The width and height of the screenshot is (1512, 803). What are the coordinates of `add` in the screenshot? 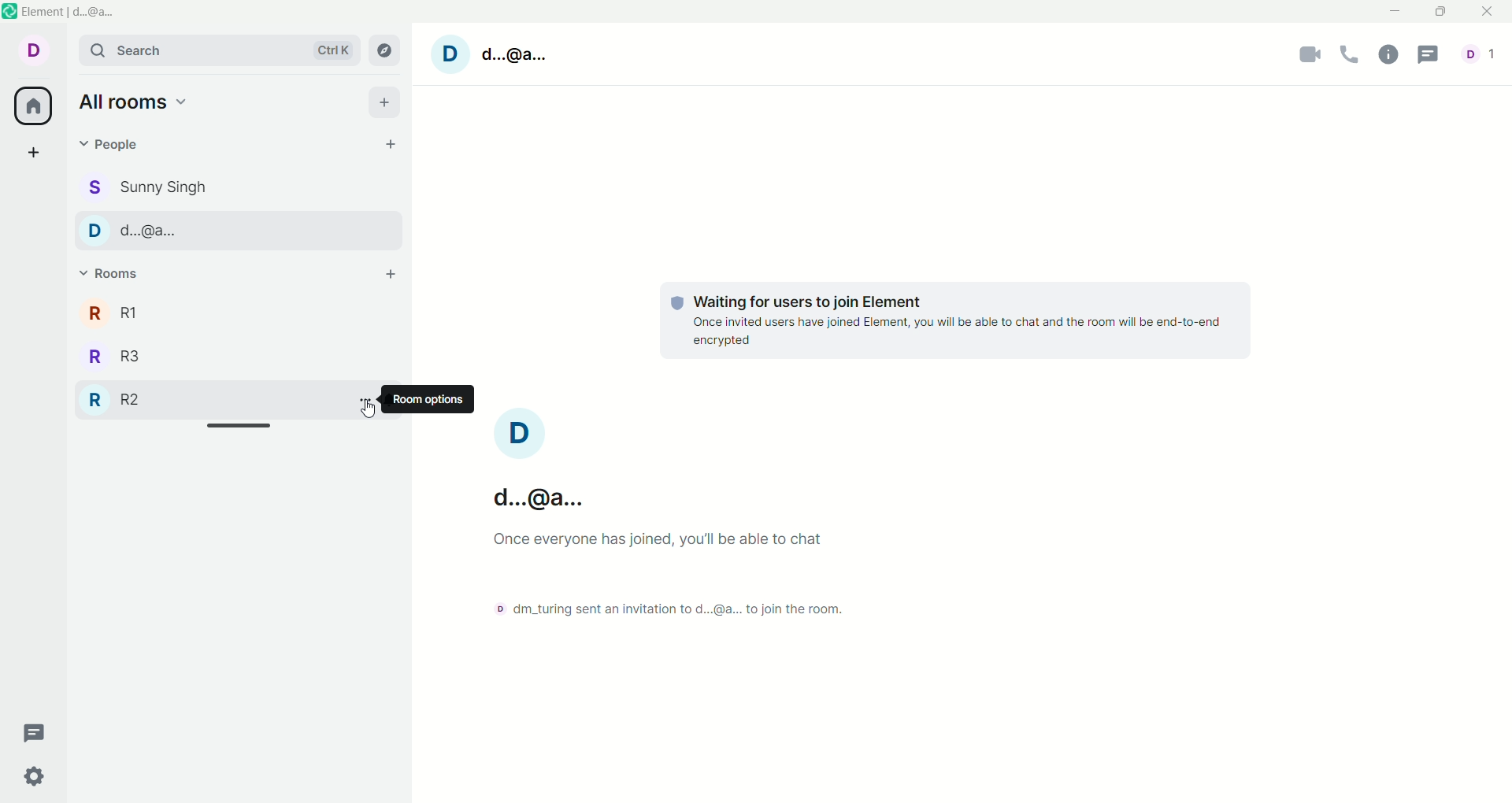 It's located at (387, 275).